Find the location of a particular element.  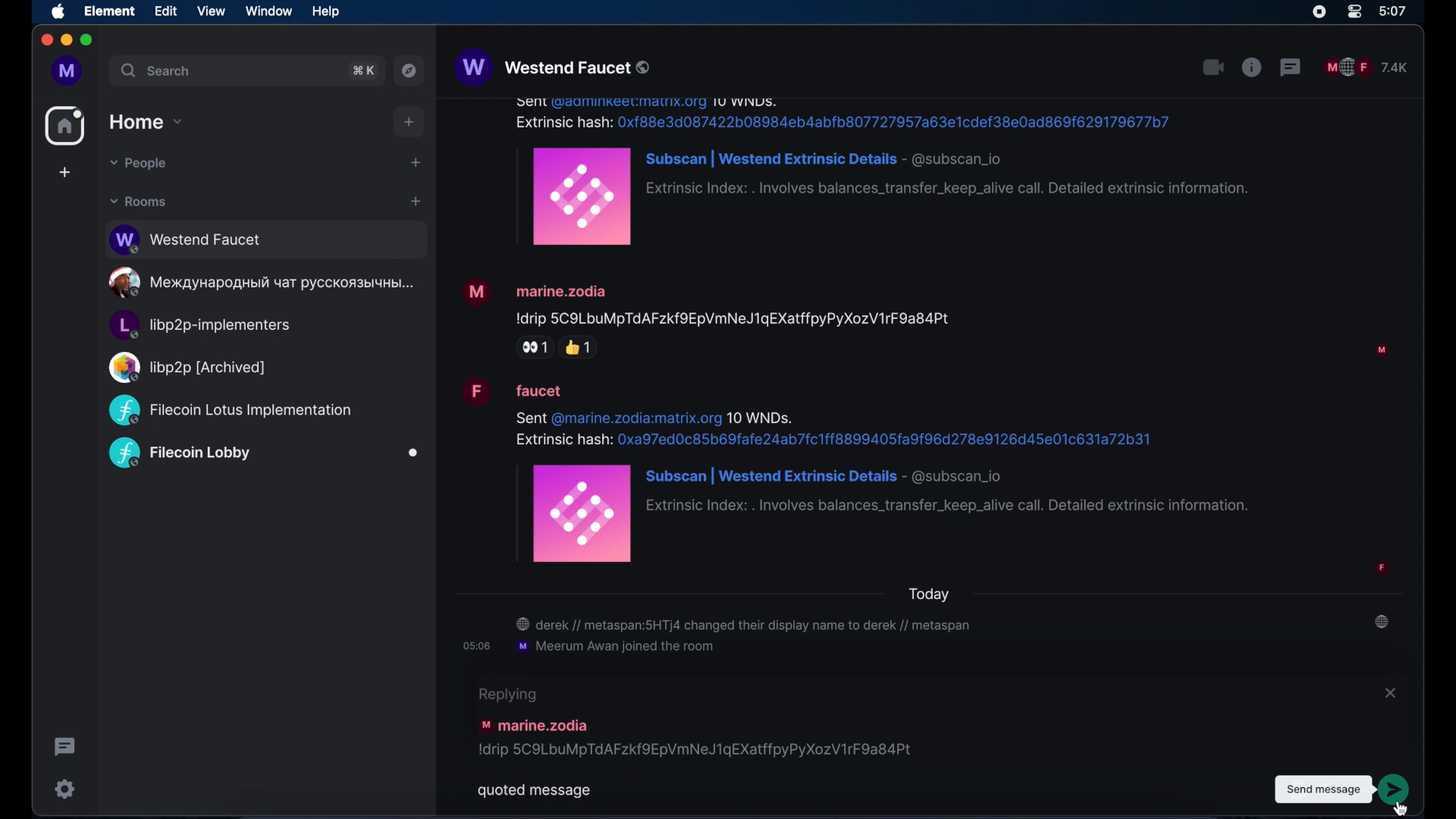

public room is located at coordinates (264, 283).